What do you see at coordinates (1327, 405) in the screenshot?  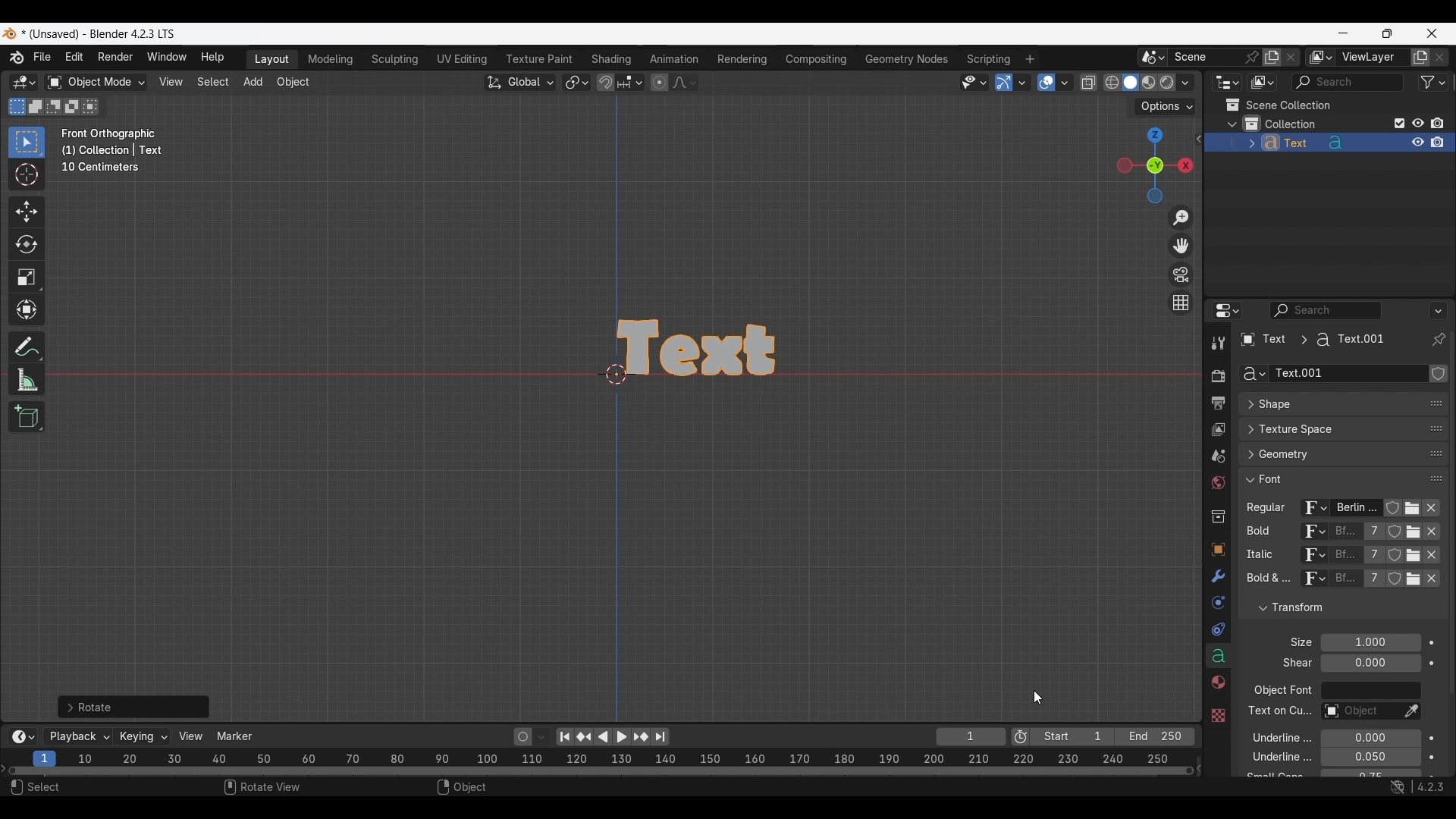 I see `Click to expand Shape` at bounding box center [1327, 405].